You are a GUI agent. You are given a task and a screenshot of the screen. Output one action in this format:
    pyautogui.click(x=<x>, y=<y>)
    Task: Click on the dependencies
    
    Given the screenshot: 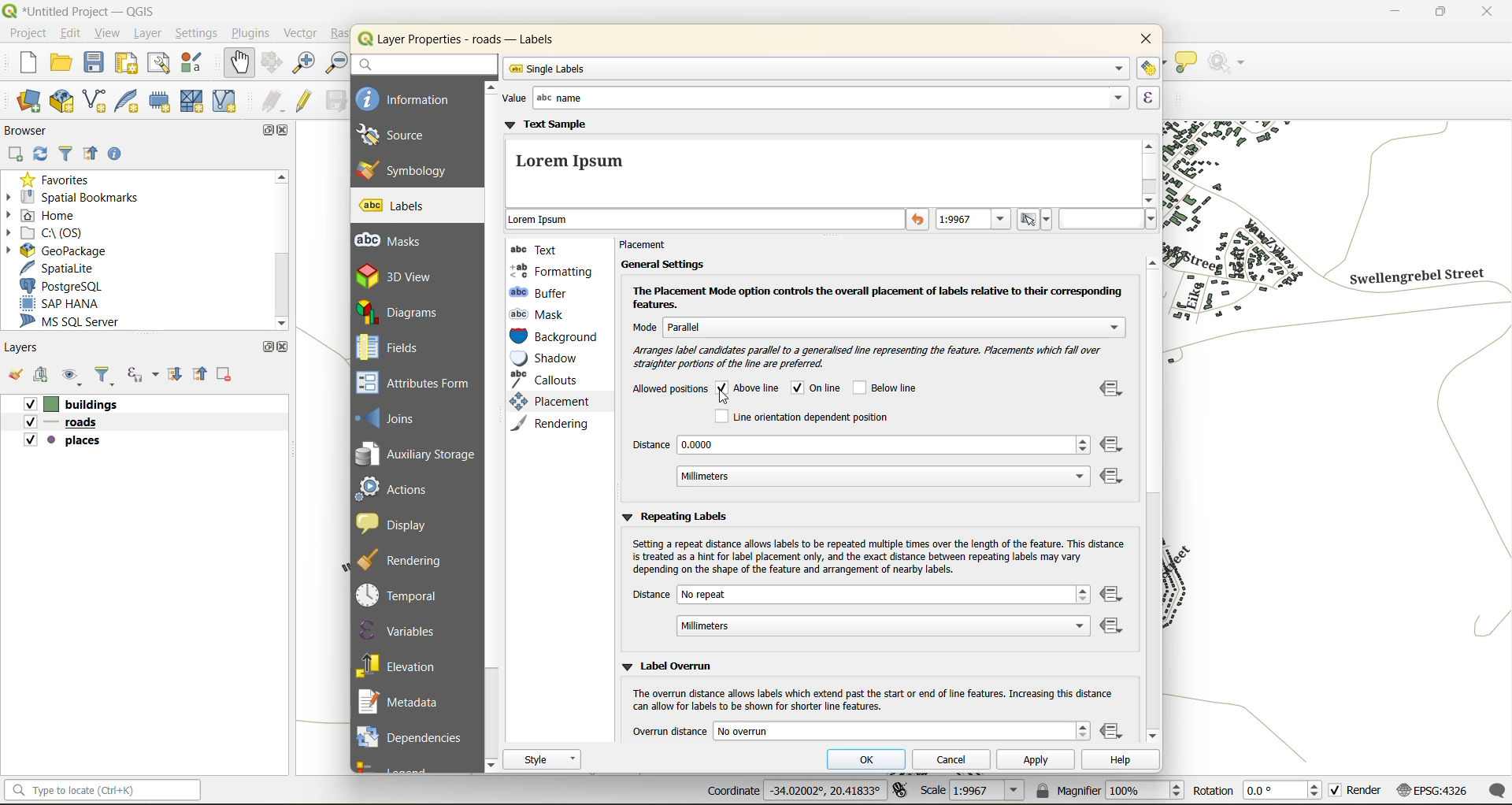 What is the action you would take?
    pyautogui.click(x=410, y=735)
    